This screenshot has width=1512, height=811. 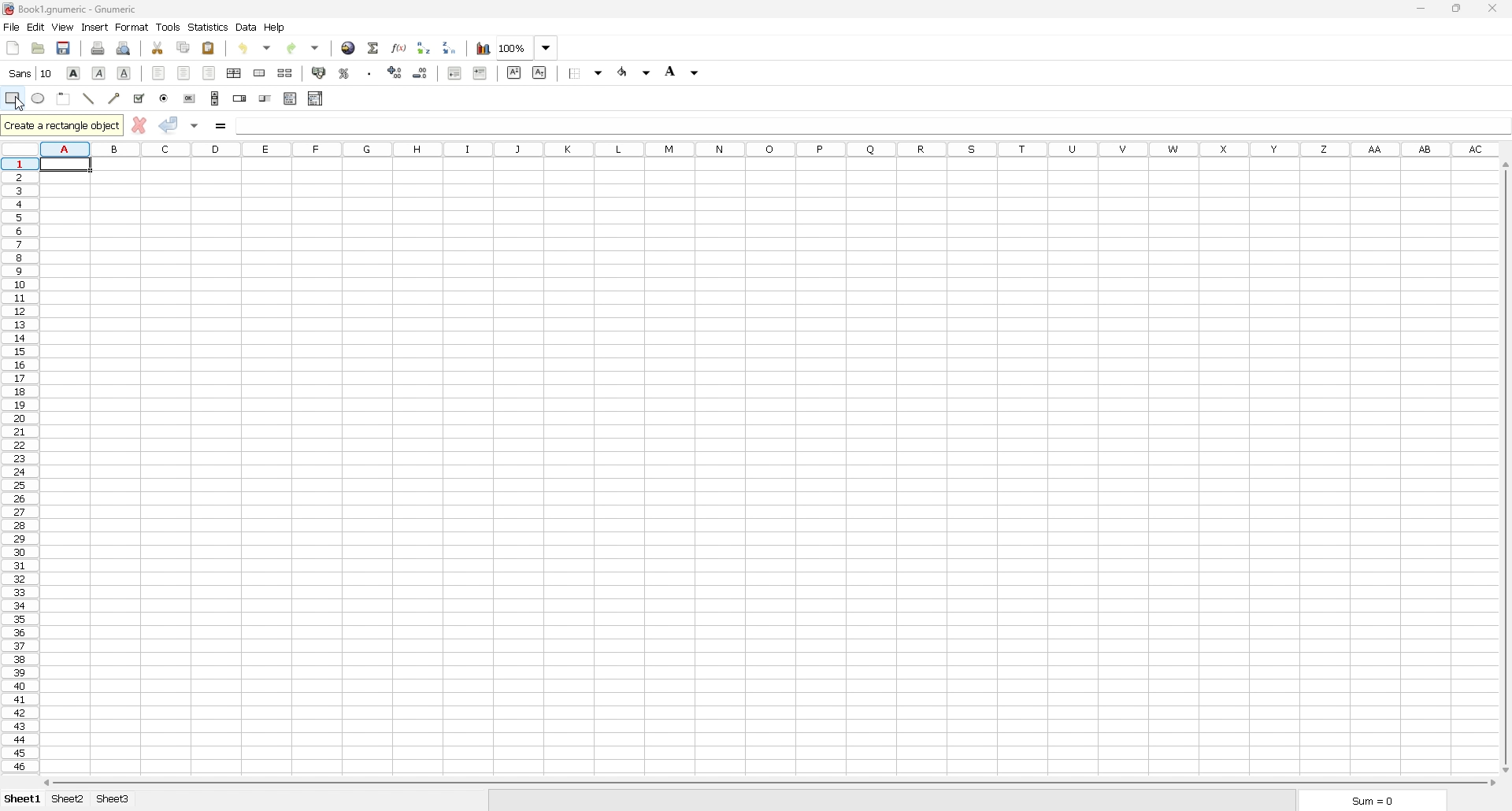 What do you see at coordinates (114, 800) in the screenshot?
I see `sheet 3` at bounding box center [114, 800].